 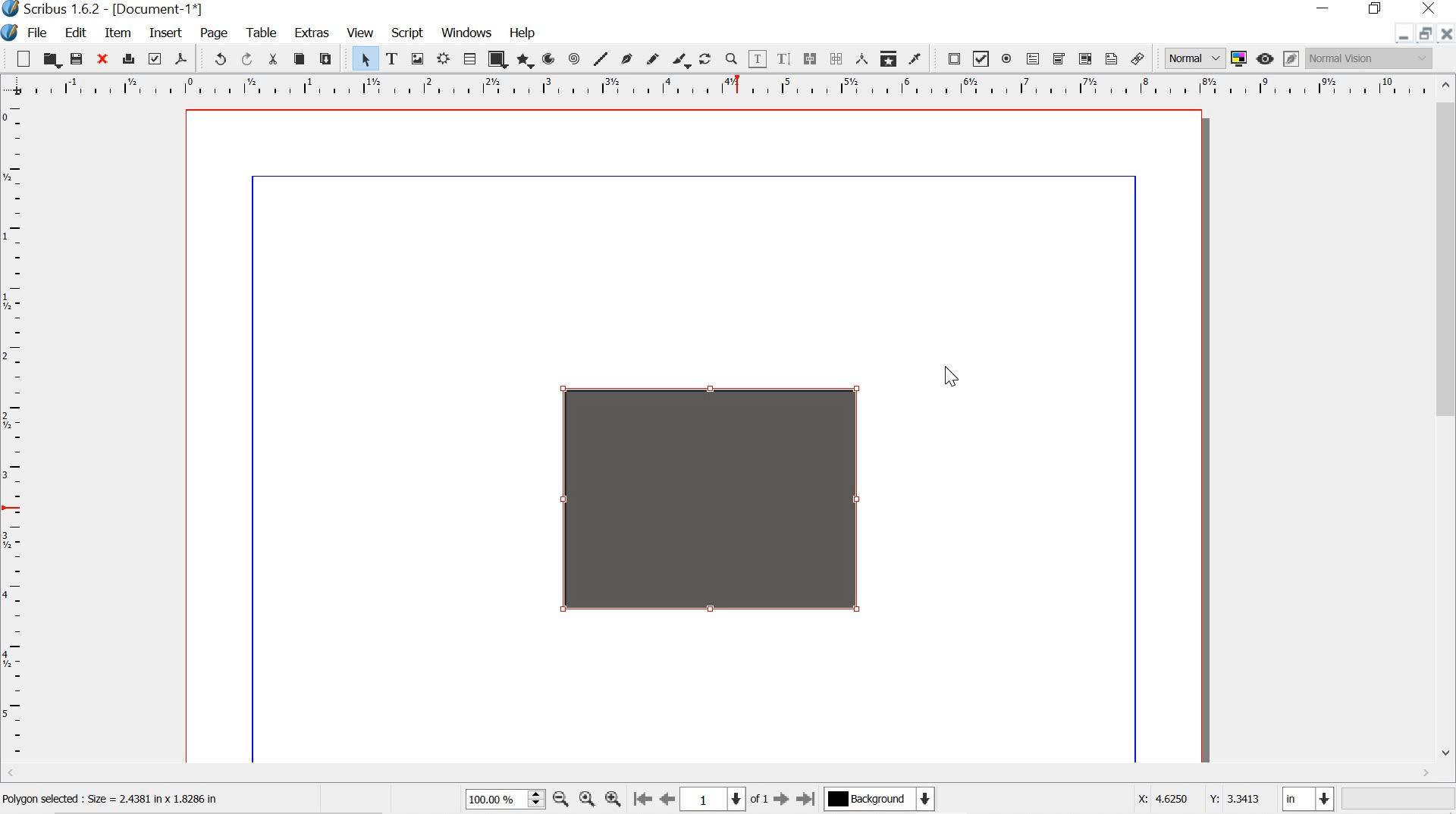 I want to click on pdf text field, so click(x=1034, y=58).